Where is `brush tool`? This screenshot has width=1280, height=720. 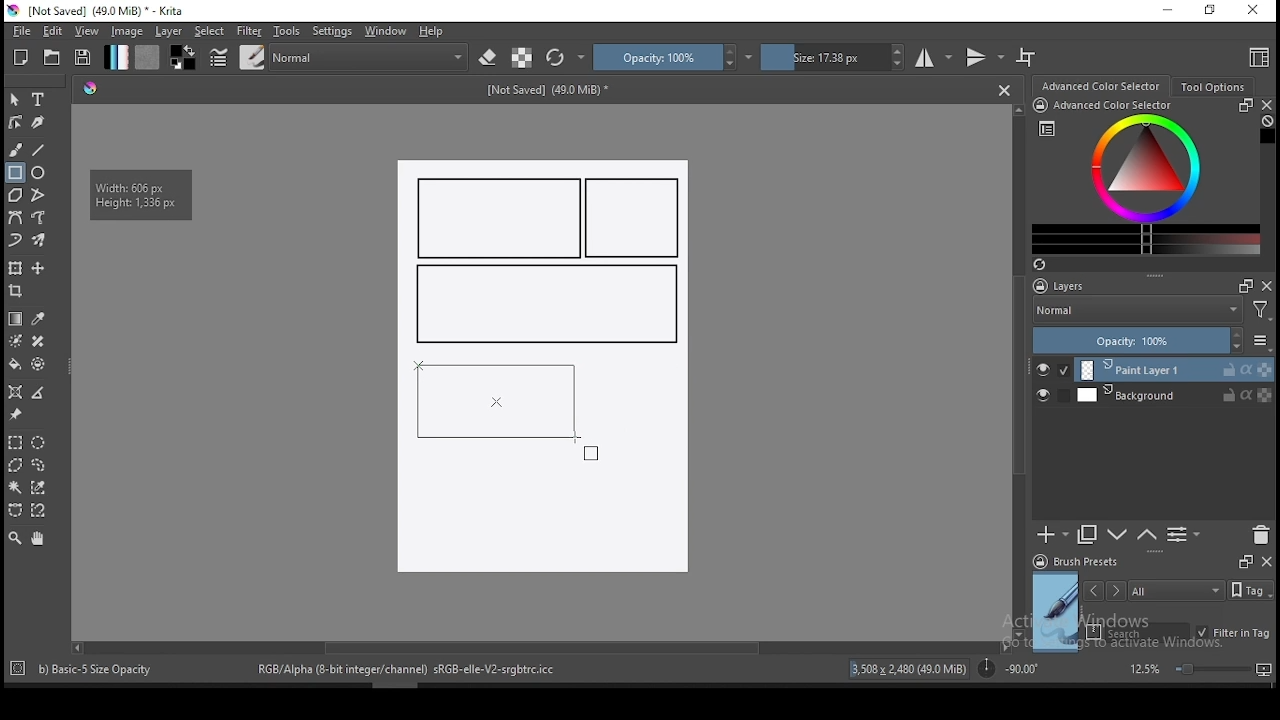
brush tool is located at coordinates (17, 149).